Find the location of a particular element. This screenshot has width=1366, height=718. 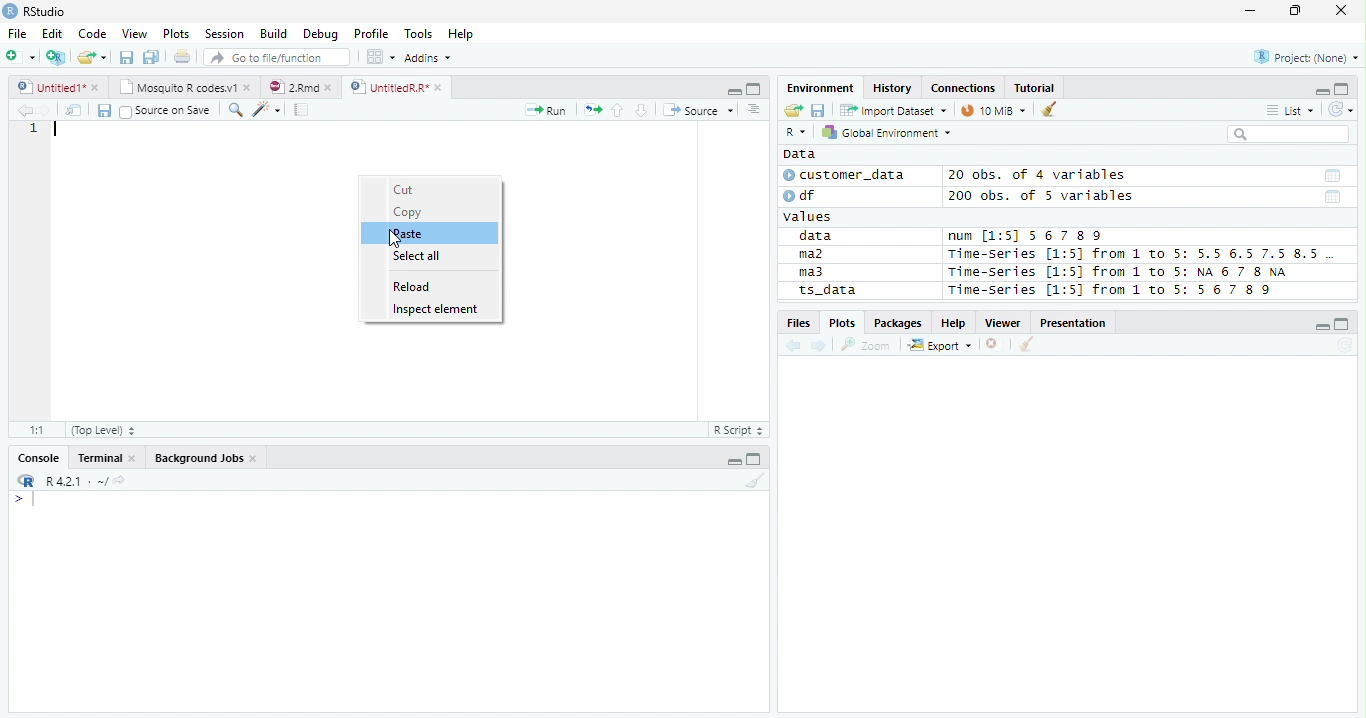

Help is located at coordinates (954, 324).